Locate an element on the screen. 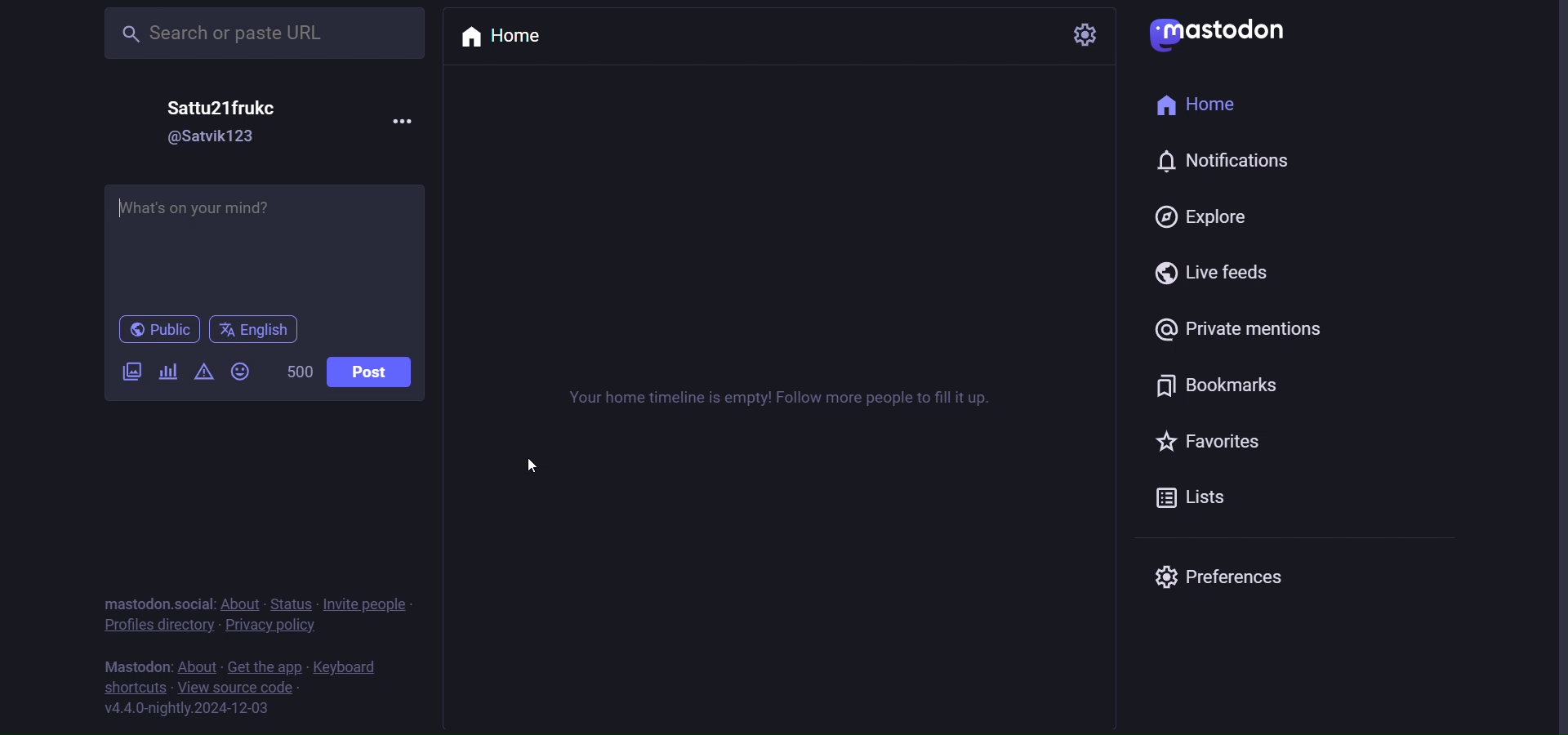 Image resolution: width=1568 pixels, height=735 pixels. search is located at coordinates (264, 32).